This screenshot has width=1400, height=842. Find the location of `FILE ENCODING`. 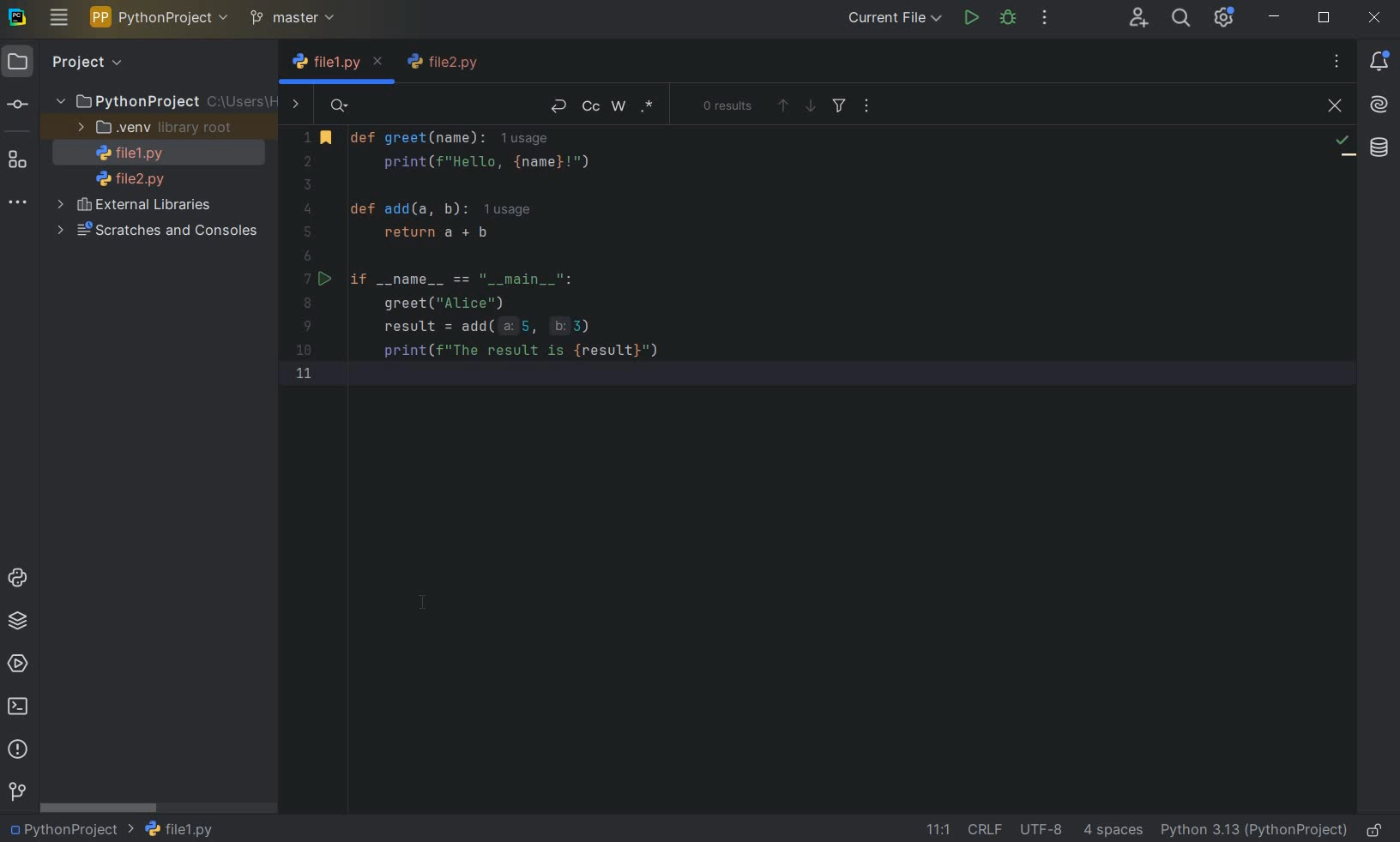

FILE ENCODING is located at coordinates (1038, 829).